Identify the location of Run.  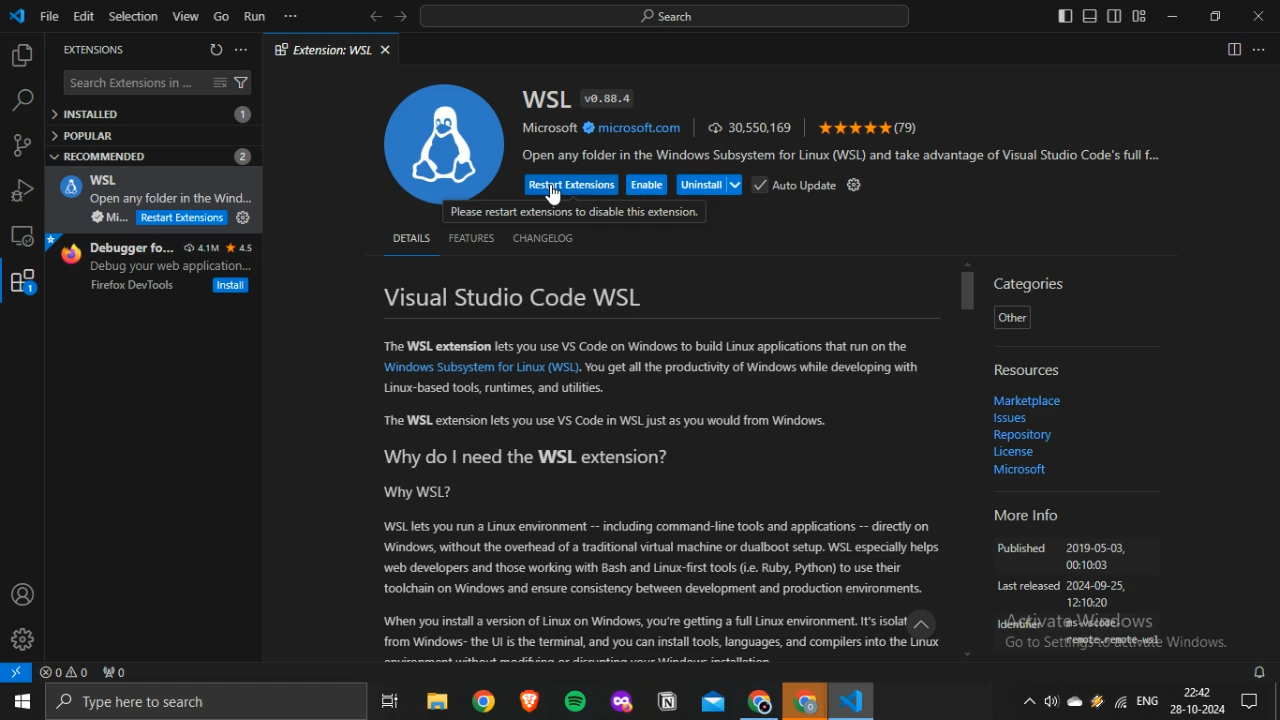
(255, 16).